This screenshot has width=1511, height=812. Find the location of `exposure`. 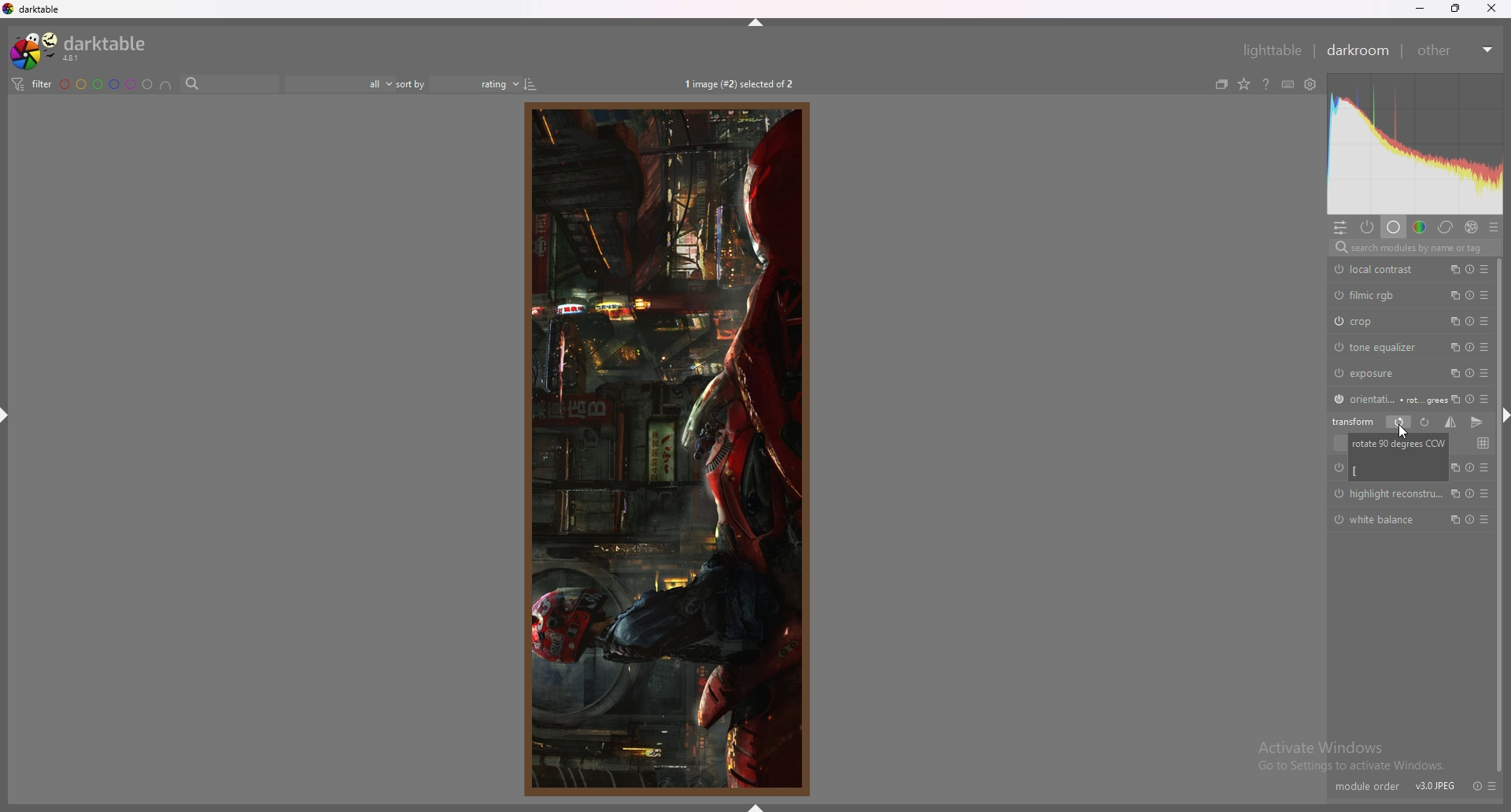

exposure is located at coordinates (1370, 373).